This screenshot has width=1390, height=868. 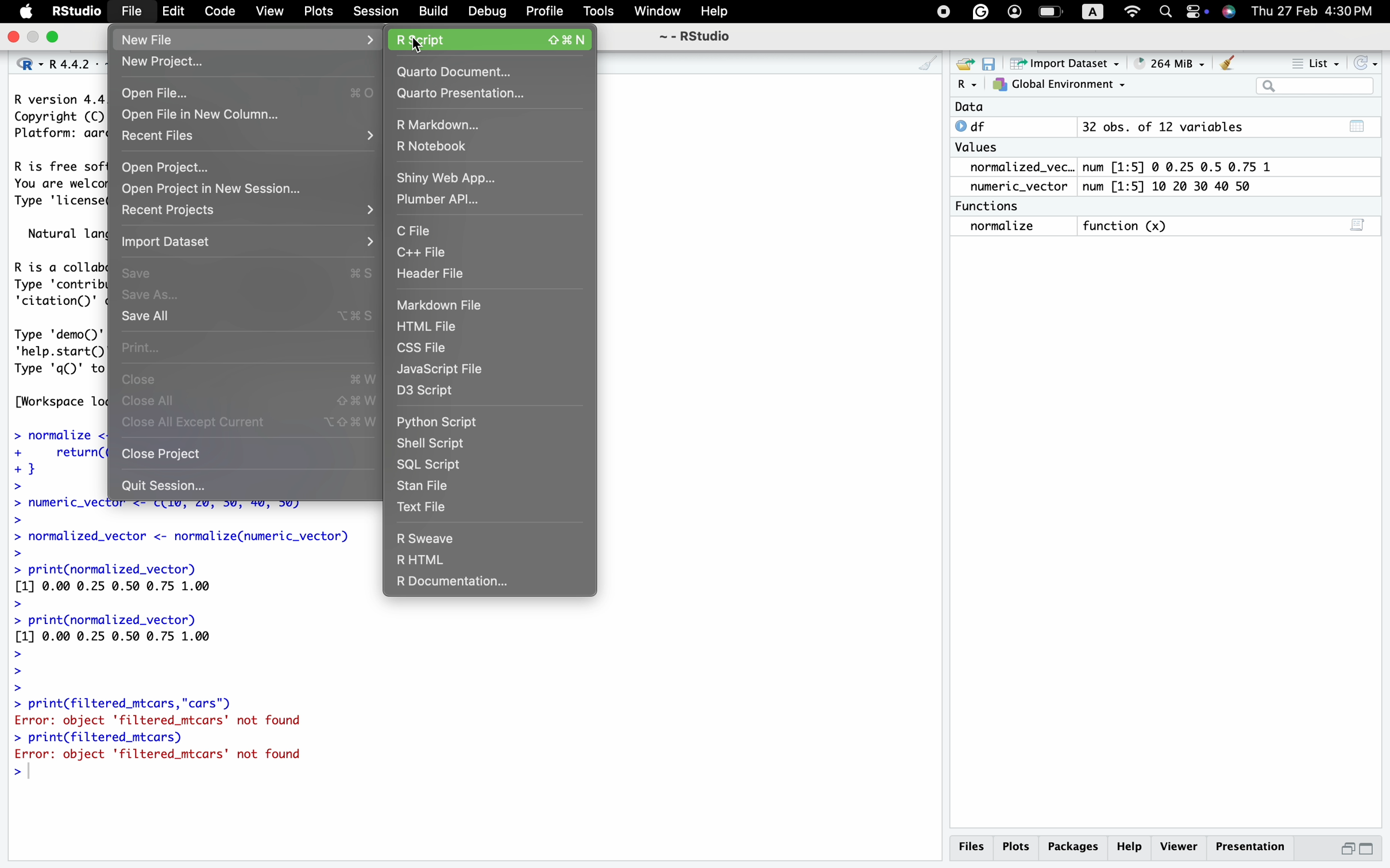 What do you see at coordinates (1359, 223) in the screenshot?
I see `script editor` at bounding box center [1359, 223].